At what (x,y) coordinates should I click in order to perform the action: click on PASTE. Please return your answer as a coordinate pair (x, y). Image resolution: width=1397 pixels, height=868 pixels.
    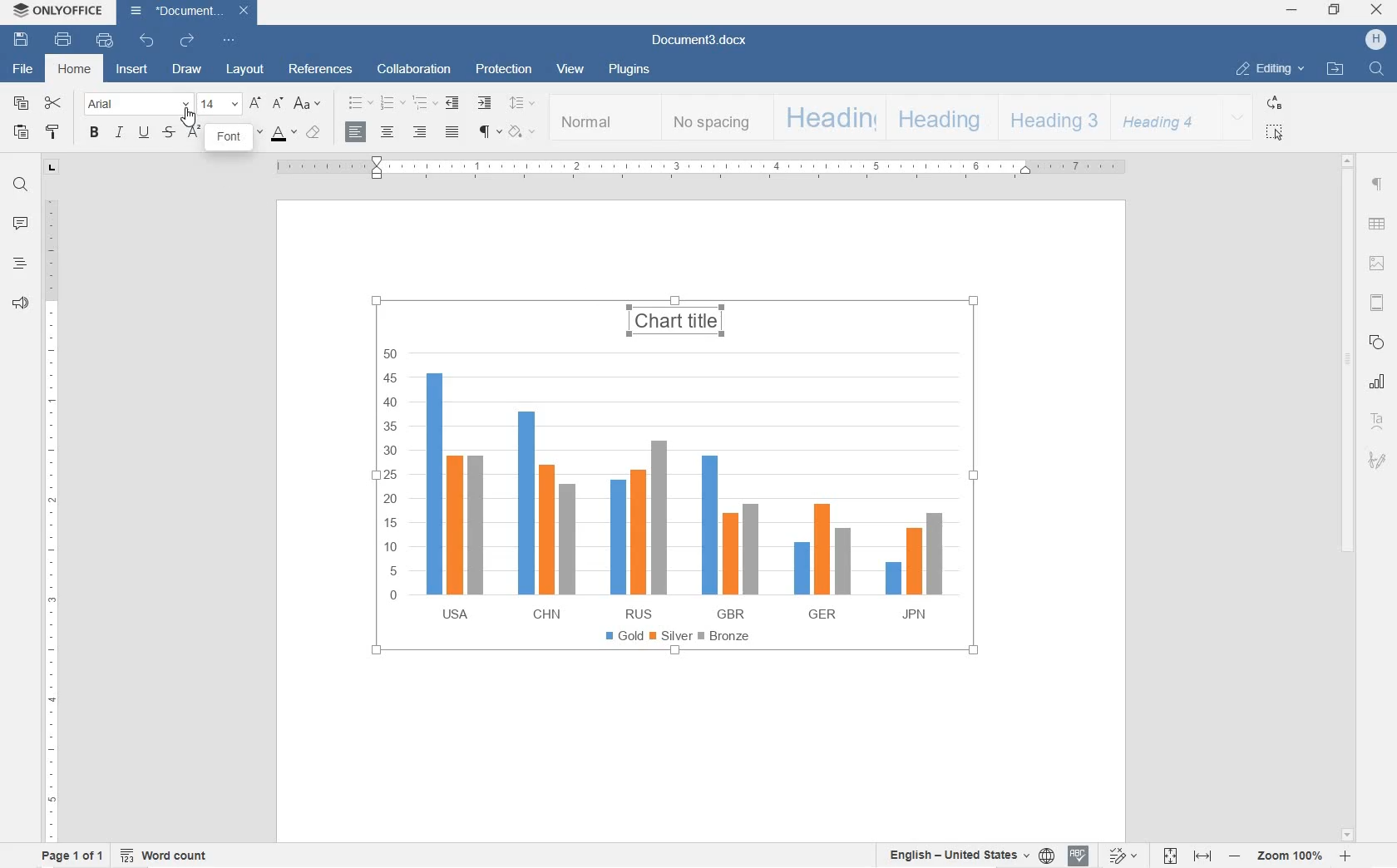
    Looking at the image, I should click on (21, 132).